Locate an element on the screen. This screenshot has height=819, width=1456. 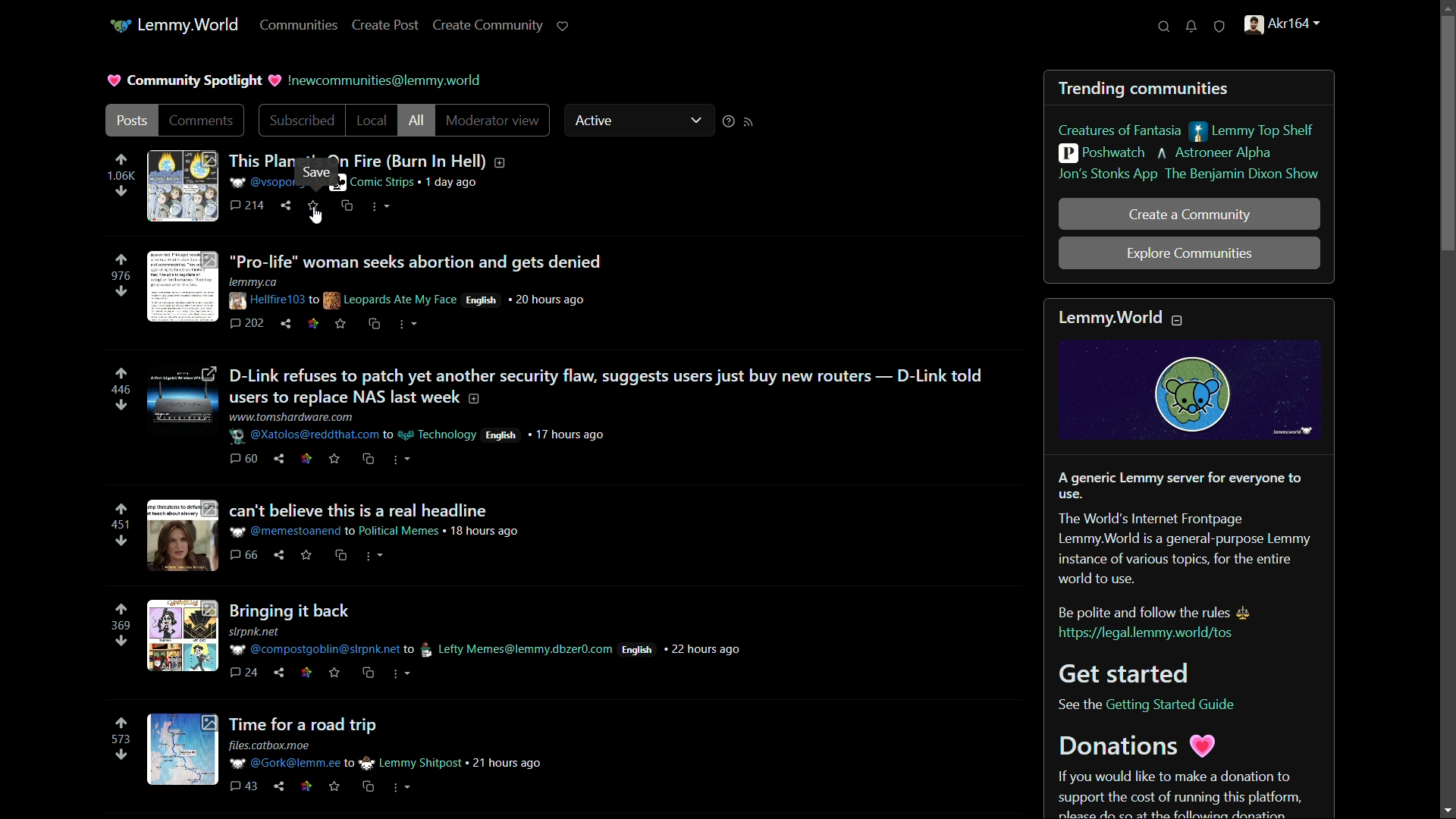
number of votes is located at coordinates (121, 626).